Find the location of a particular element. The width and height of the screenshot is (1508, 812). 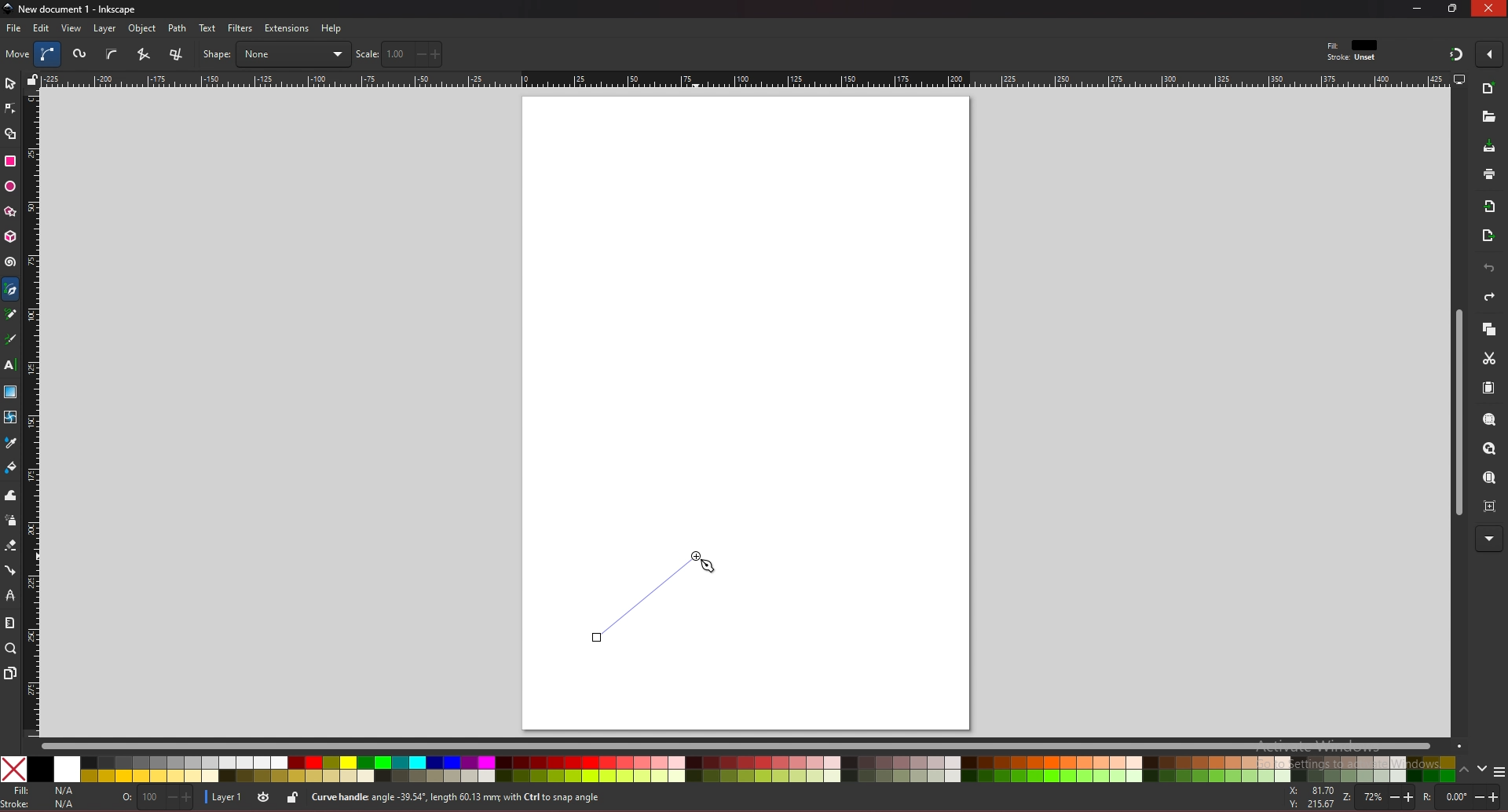

gradient is located at coordinates (11, 392).